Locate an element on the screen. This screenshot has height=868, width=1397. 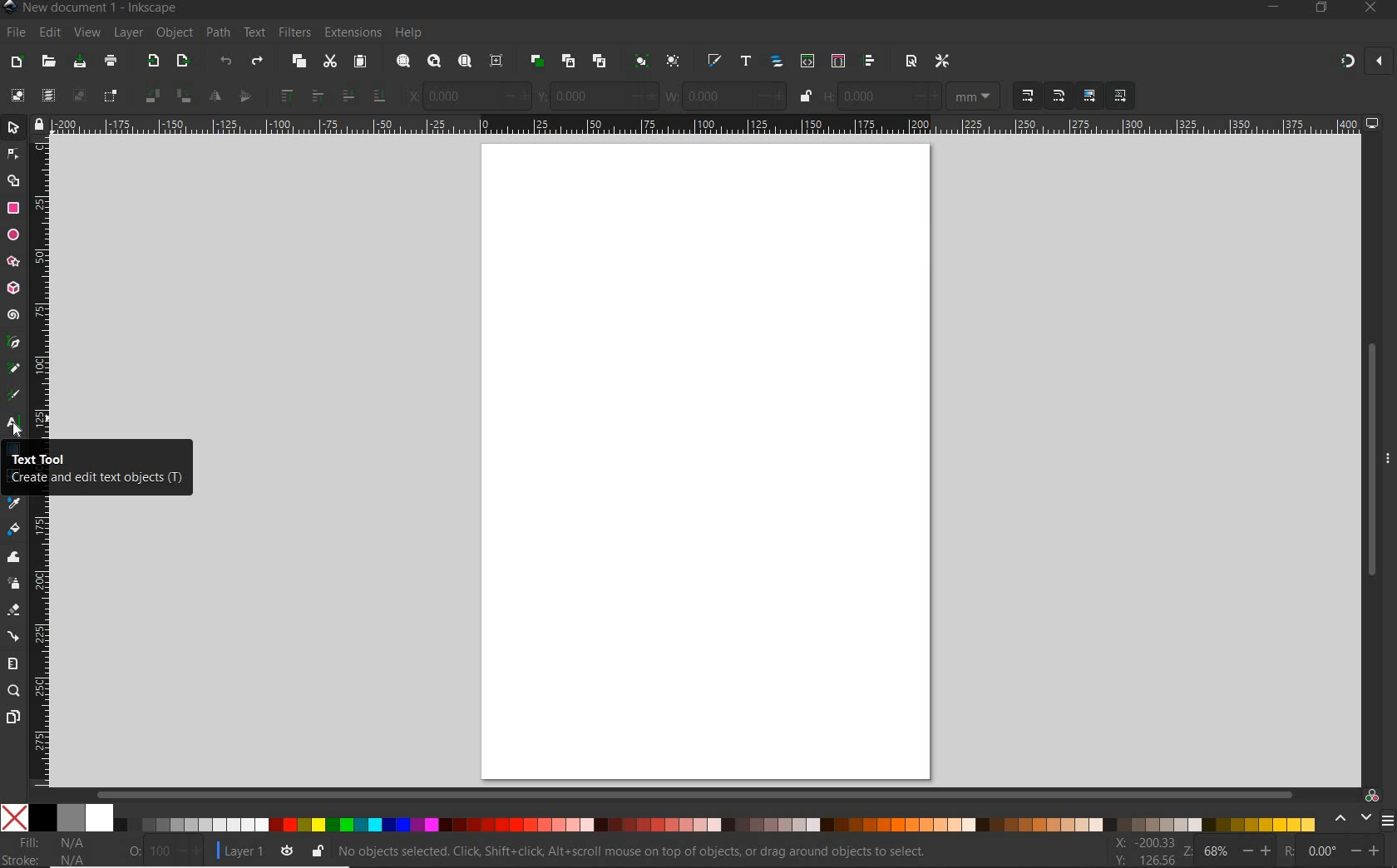
increase/decrease is located at coordinates (190, 851).